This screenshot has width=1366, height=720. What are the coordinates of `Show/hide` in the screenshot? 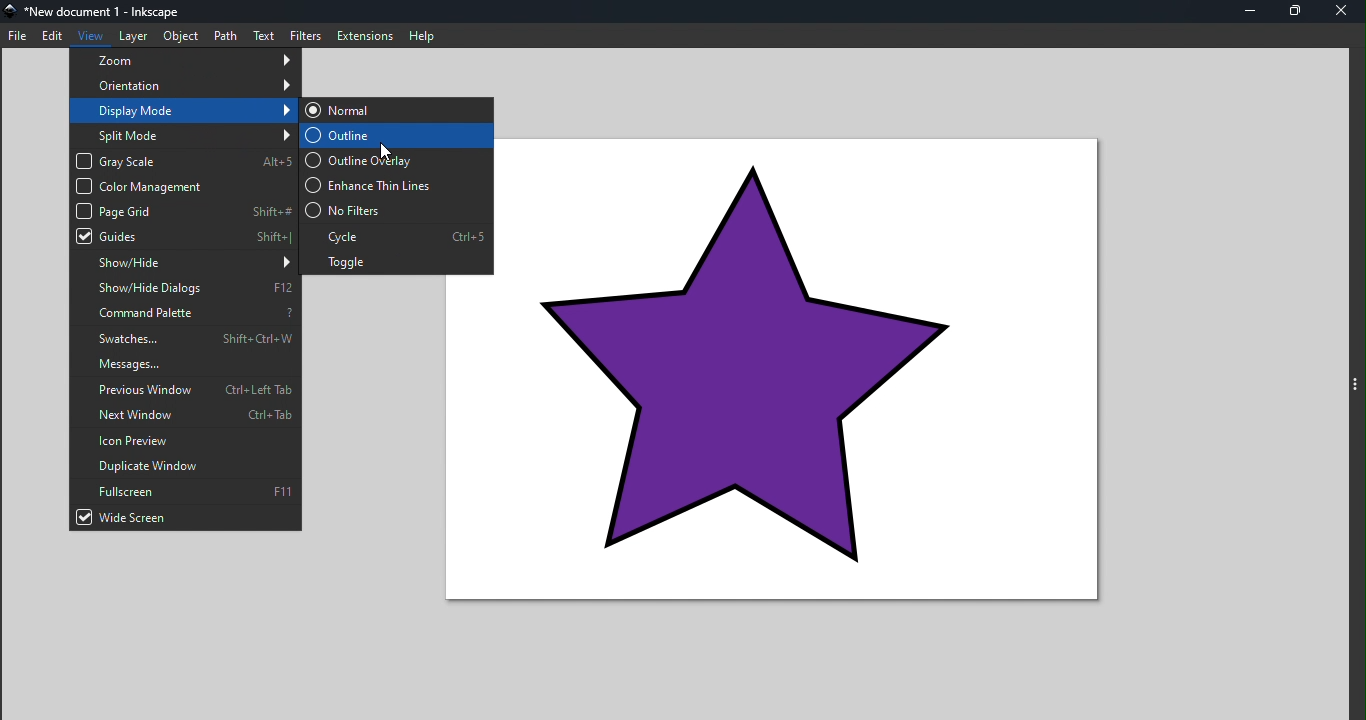 It's located at (183, 263).